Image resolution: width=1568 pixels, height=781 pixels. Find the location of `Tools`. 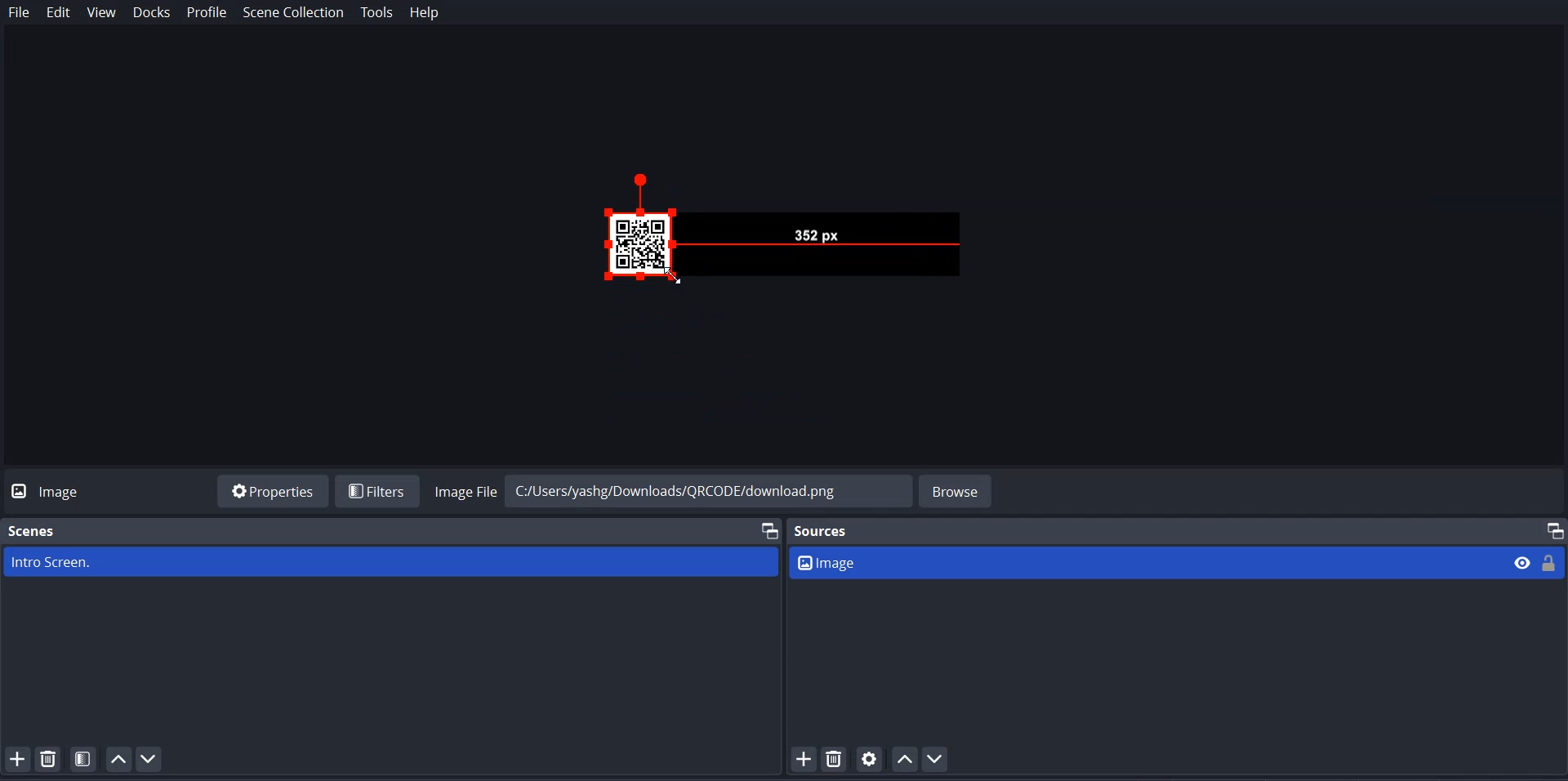

Tools is located at coordinates (376, 13).